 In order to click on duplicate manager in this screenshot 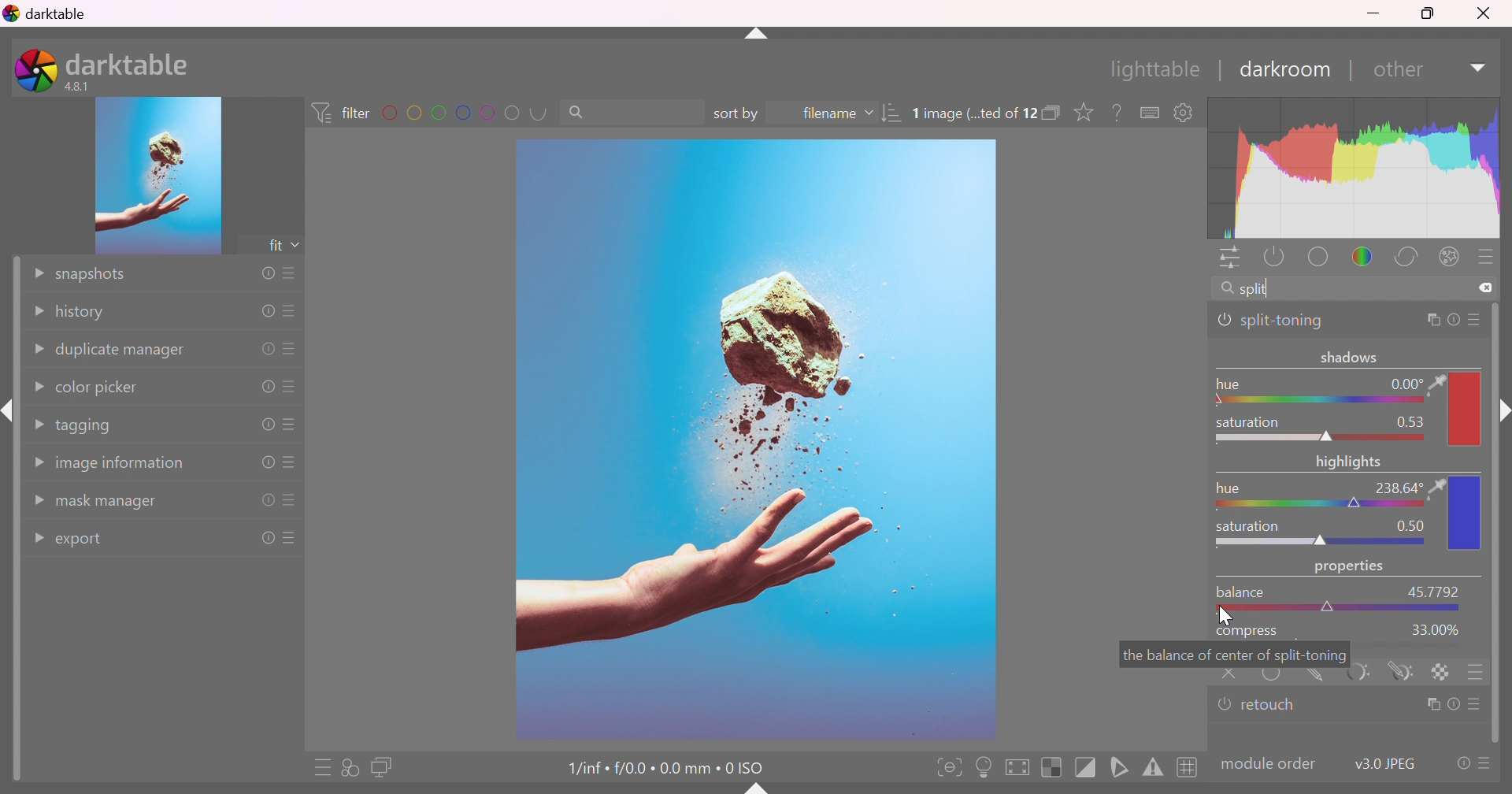, I will do `click(126, 350)`.